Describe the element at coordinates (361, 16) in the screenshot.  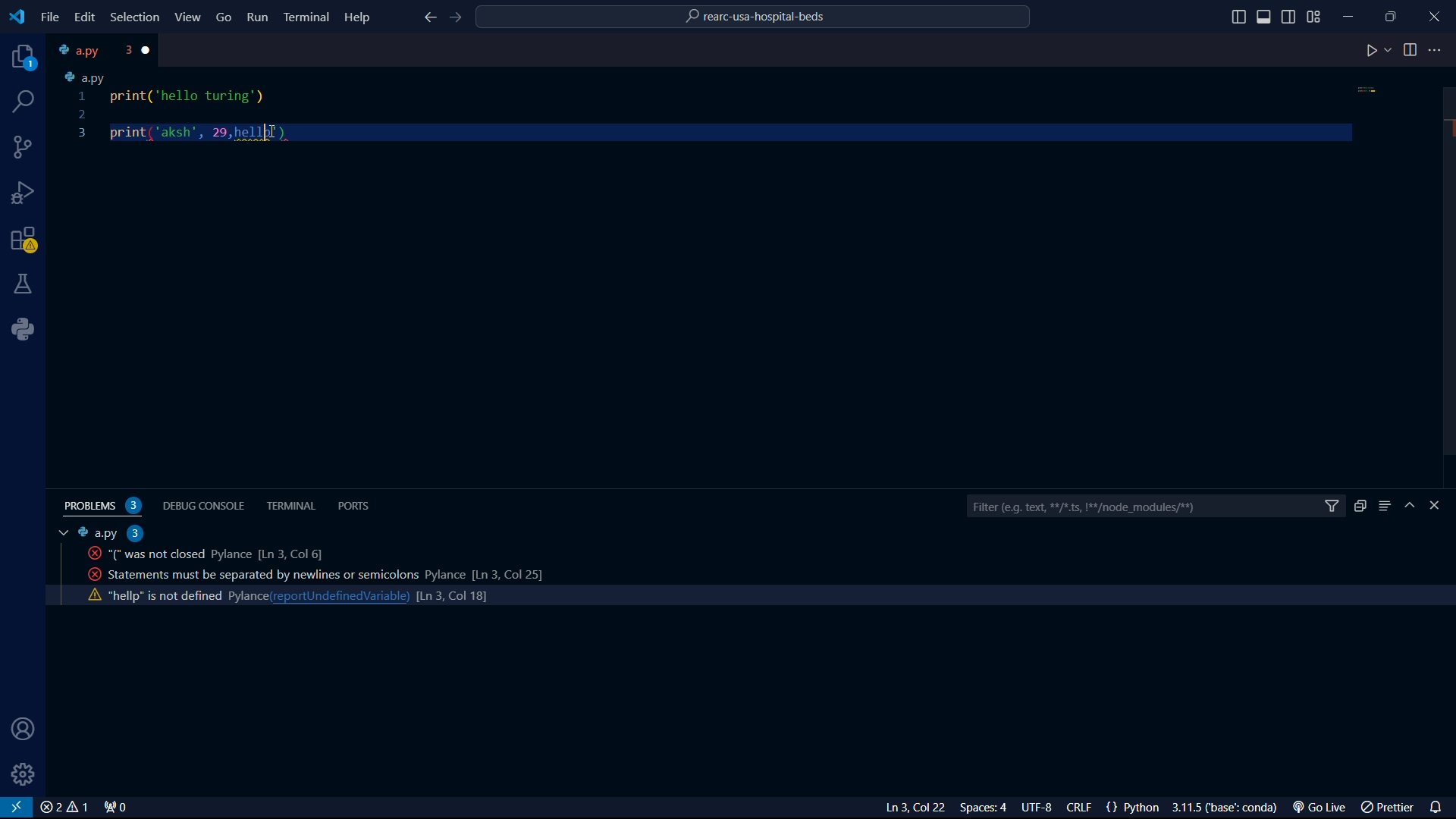
I see `Help` at that location.